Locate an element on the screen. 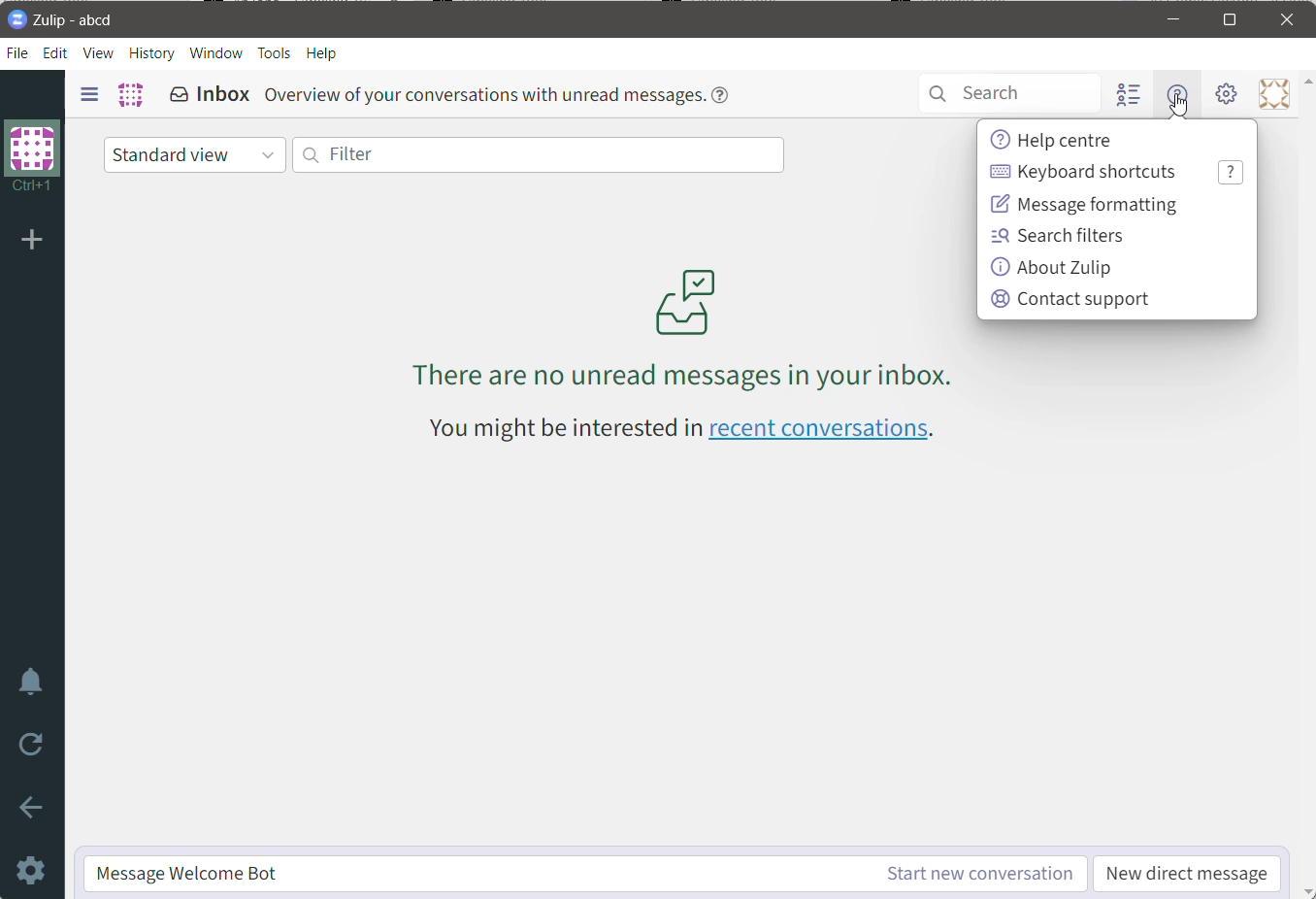  New Direct Message is located at coordinates (1188, 876).